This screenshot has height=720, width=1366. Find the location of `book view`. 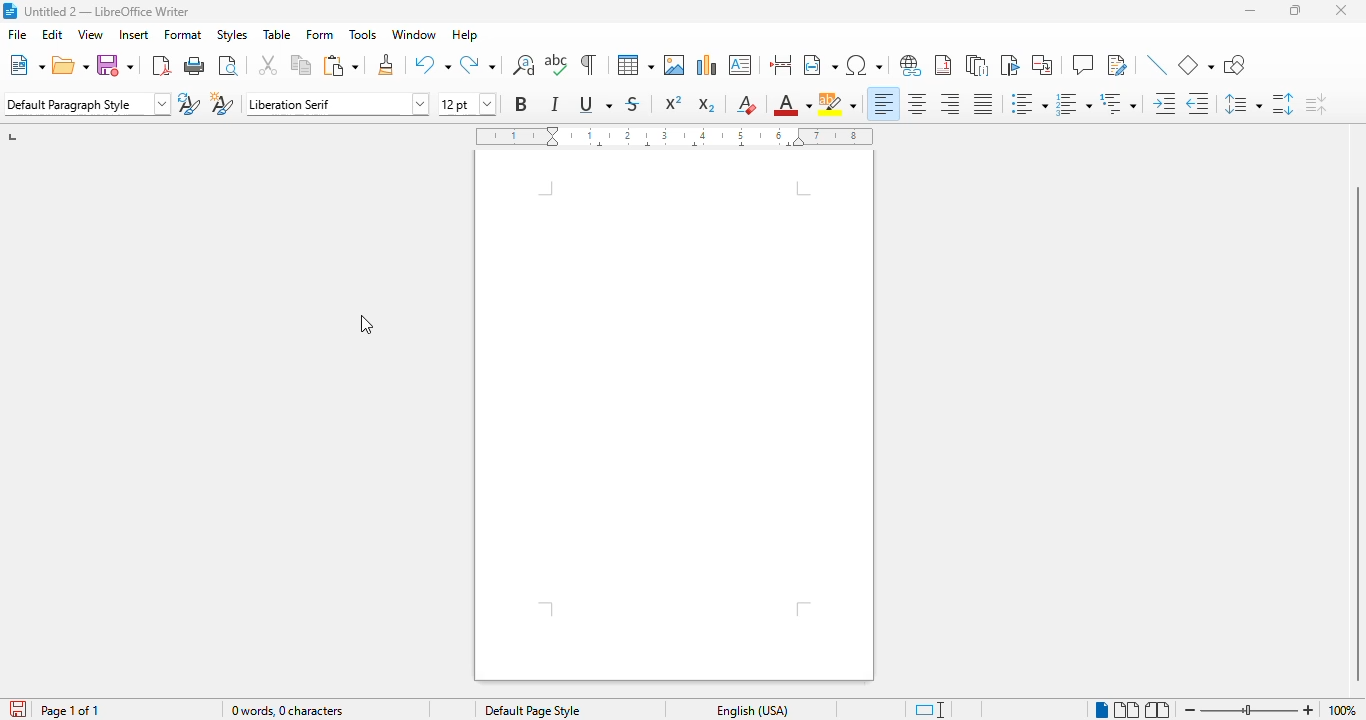

book view is located at coordinates (1156, 710).